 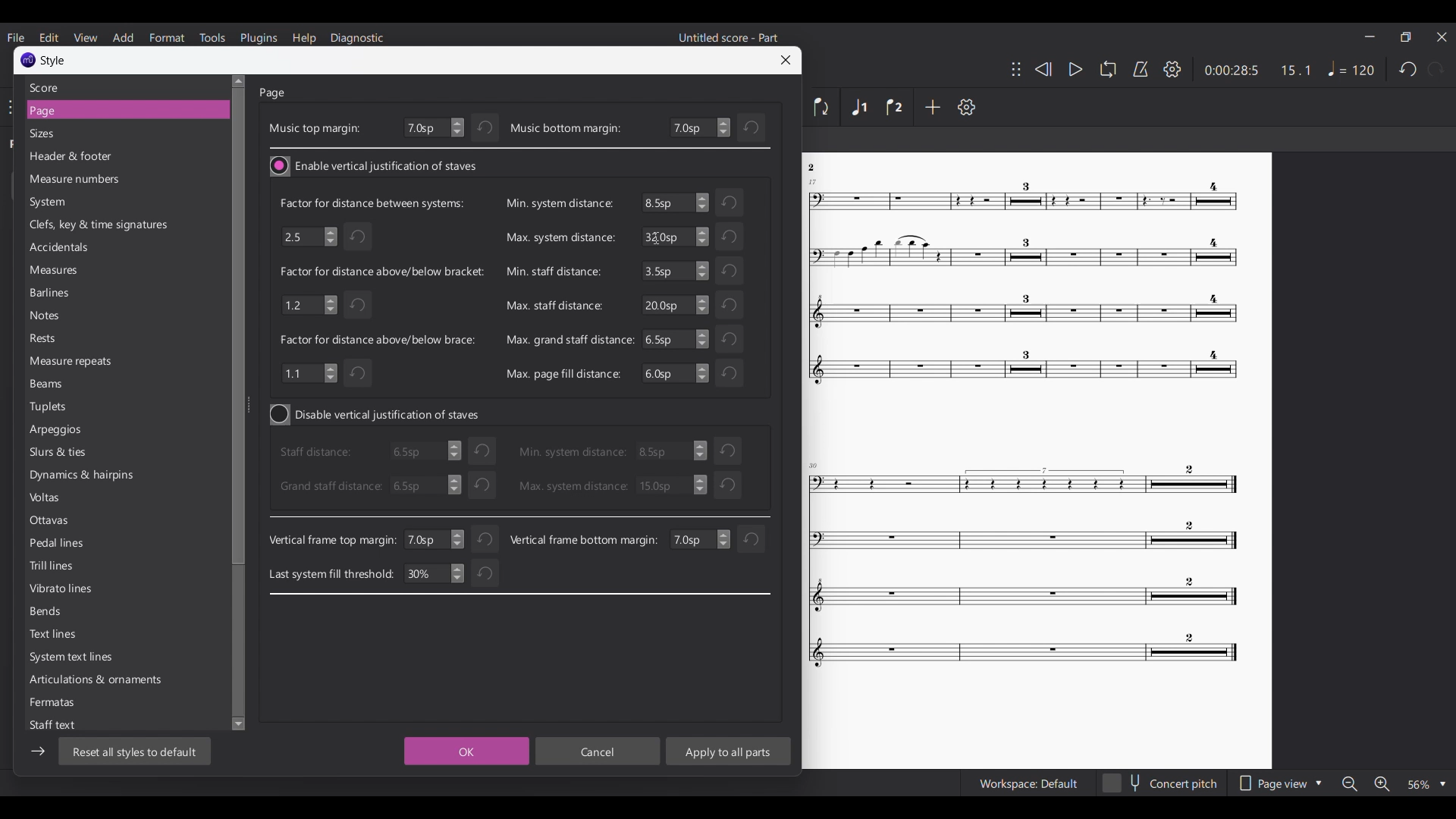 I want to click on staff distance, so click(x=319, y=453).